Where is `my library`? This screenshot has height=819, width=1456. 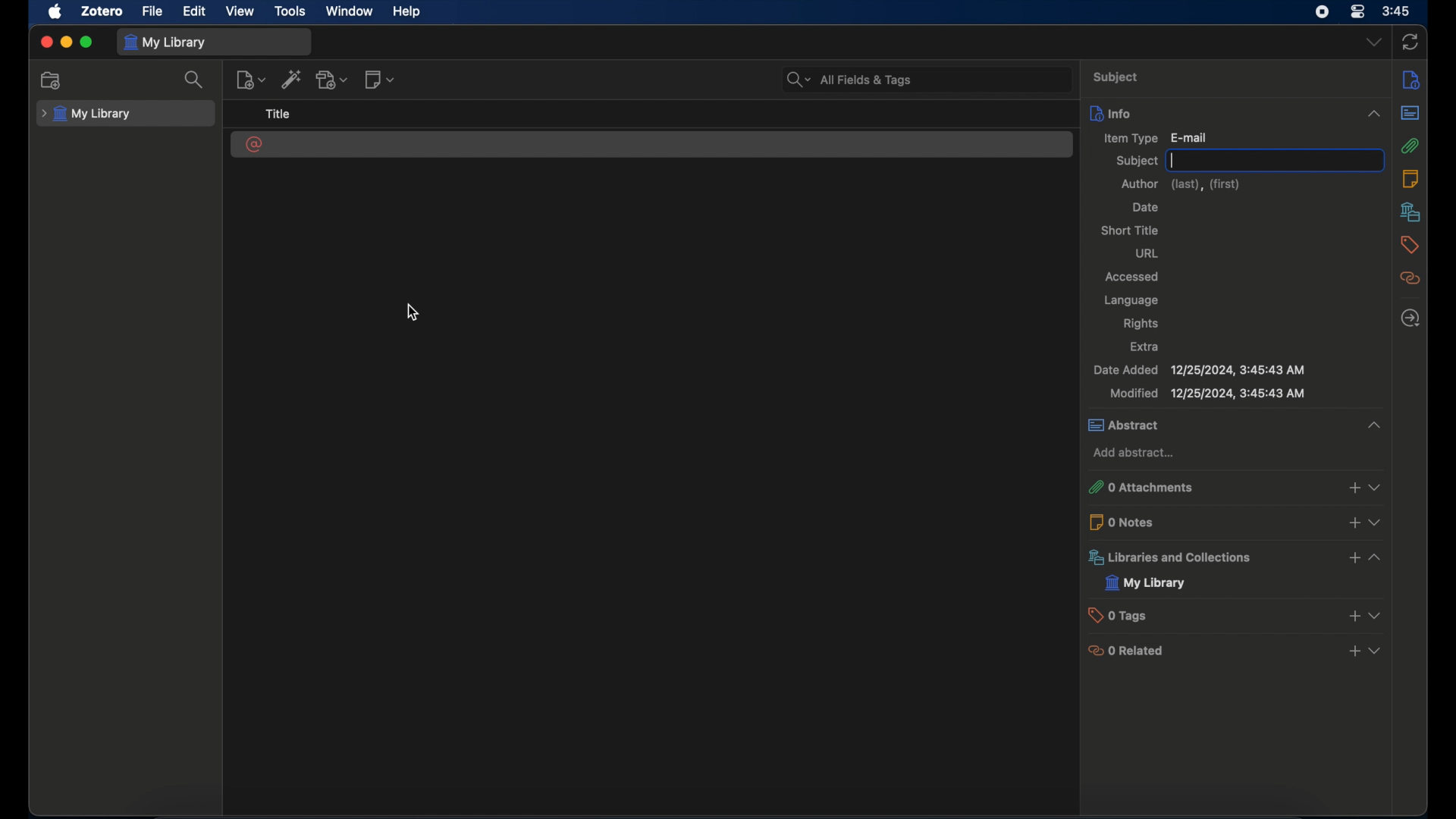 my library is located at coordinates (1146, 583).